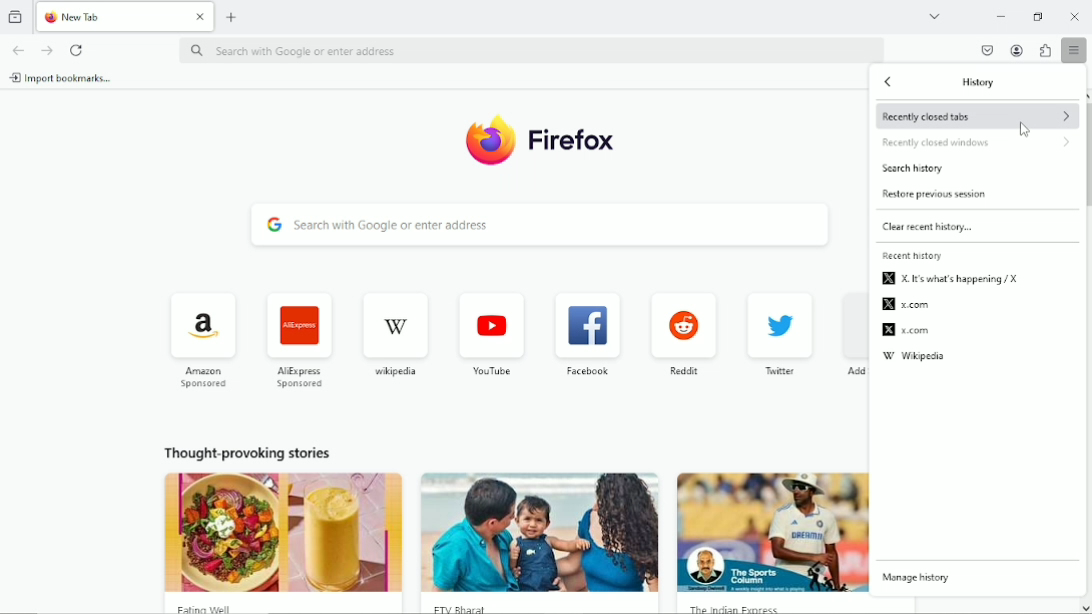  I want to click on extensions, so click(1045, 51).